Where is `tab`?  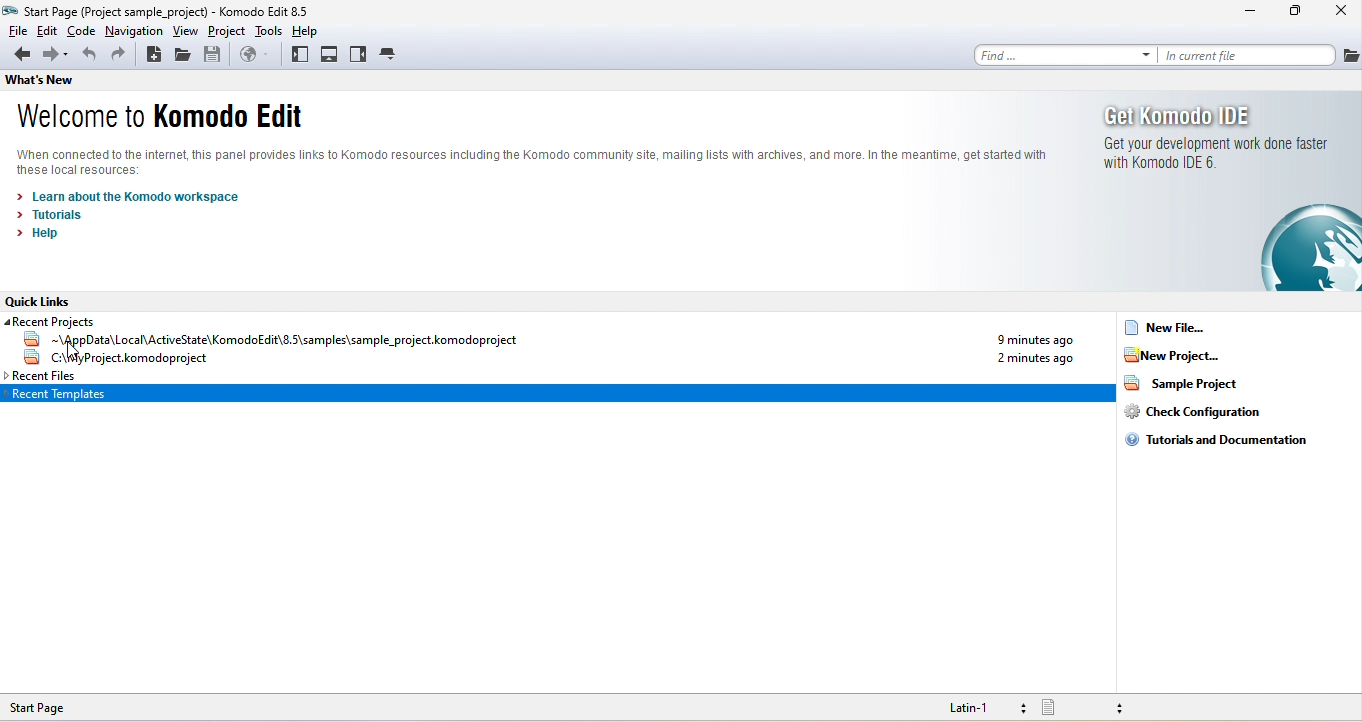 tab is located at coordinates (395, 54).